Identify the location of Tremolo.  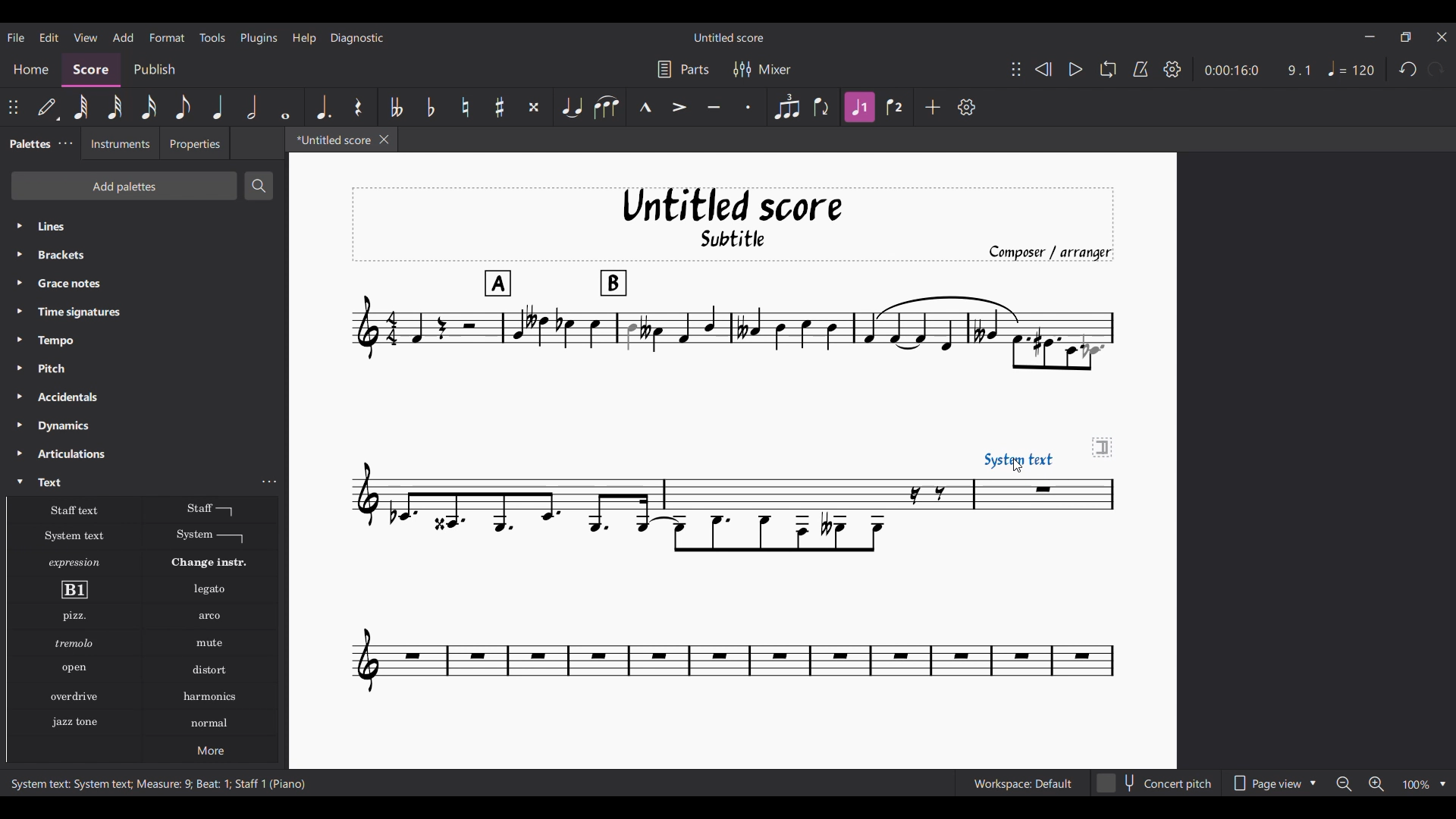
(74, 642).